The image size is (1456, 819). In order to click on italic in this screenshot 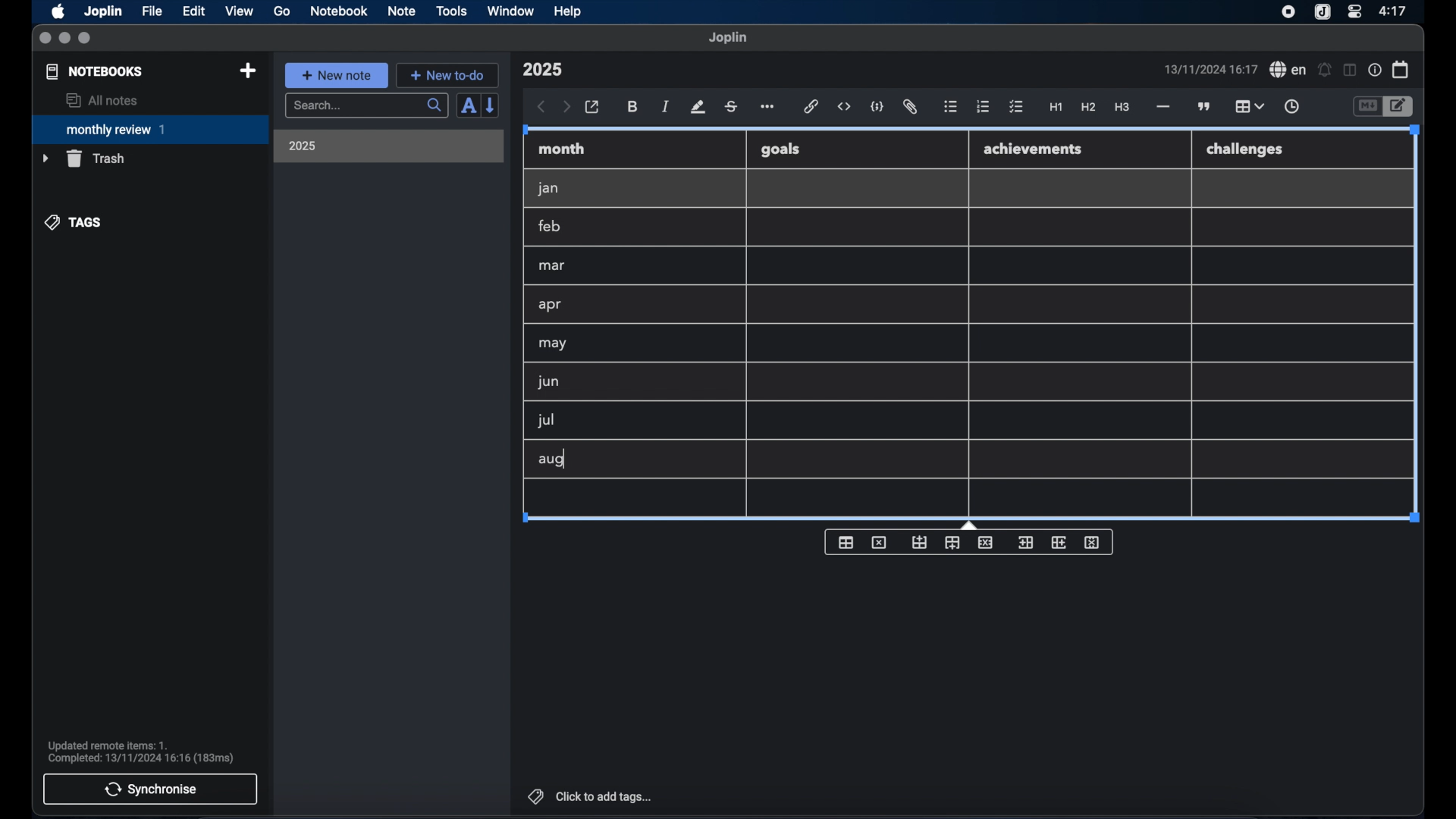, I will do `click(666, 106)`.